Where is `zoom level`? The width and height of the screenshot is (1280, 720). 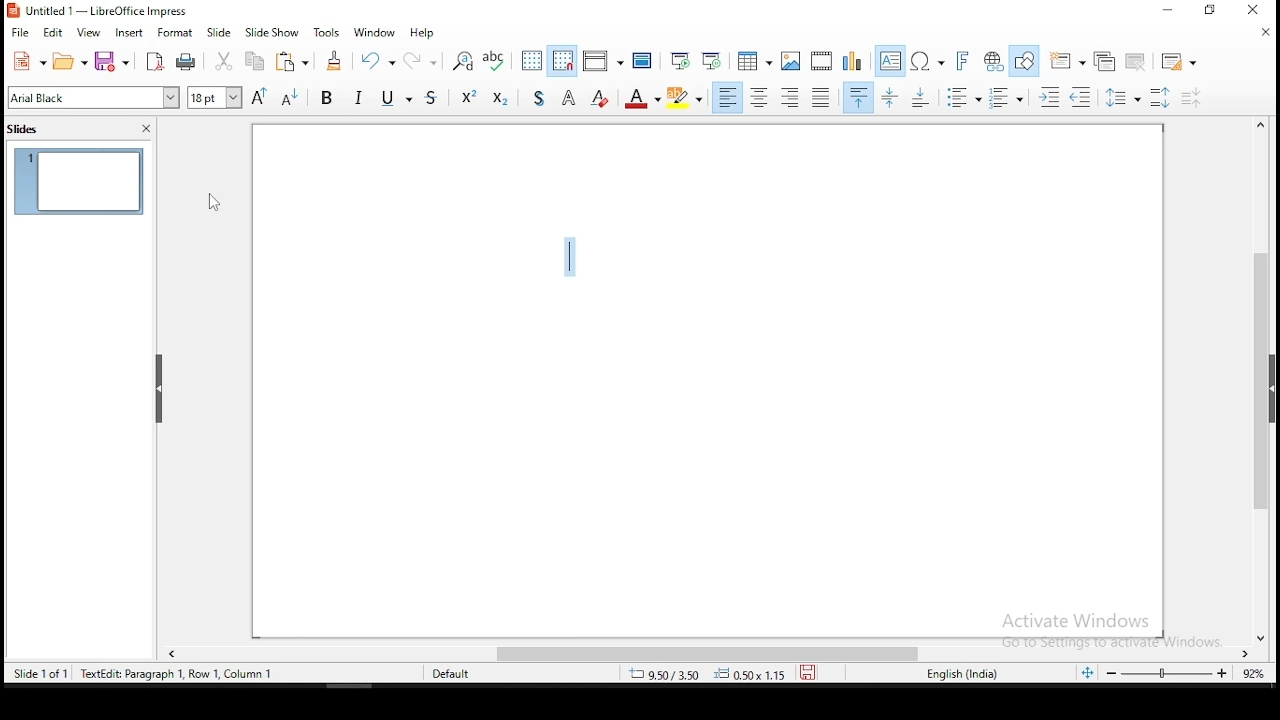
zoom level is located at coordinates (1185, 673).